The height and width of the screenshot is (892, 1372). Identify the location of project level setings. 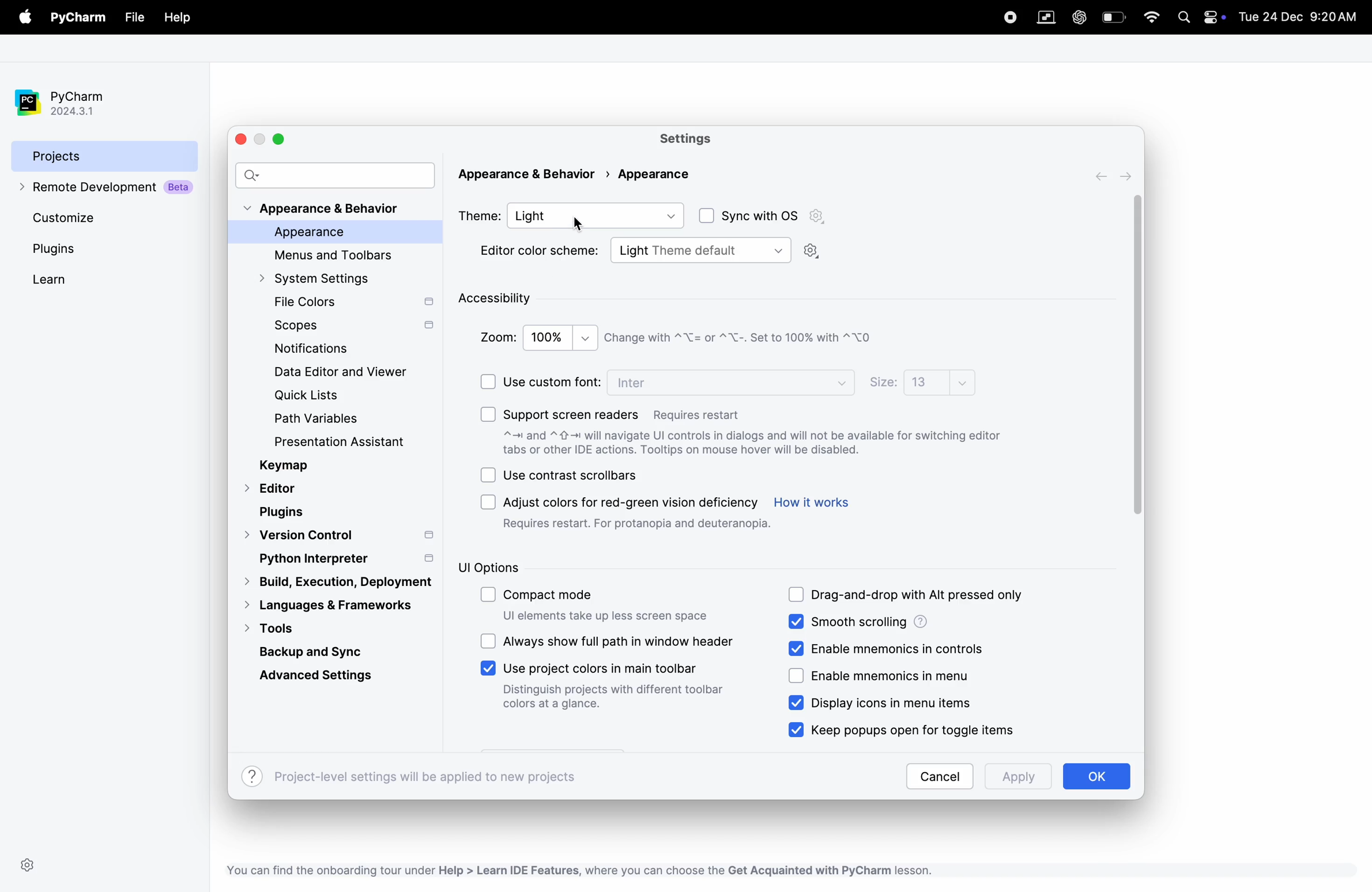
(411, 776).